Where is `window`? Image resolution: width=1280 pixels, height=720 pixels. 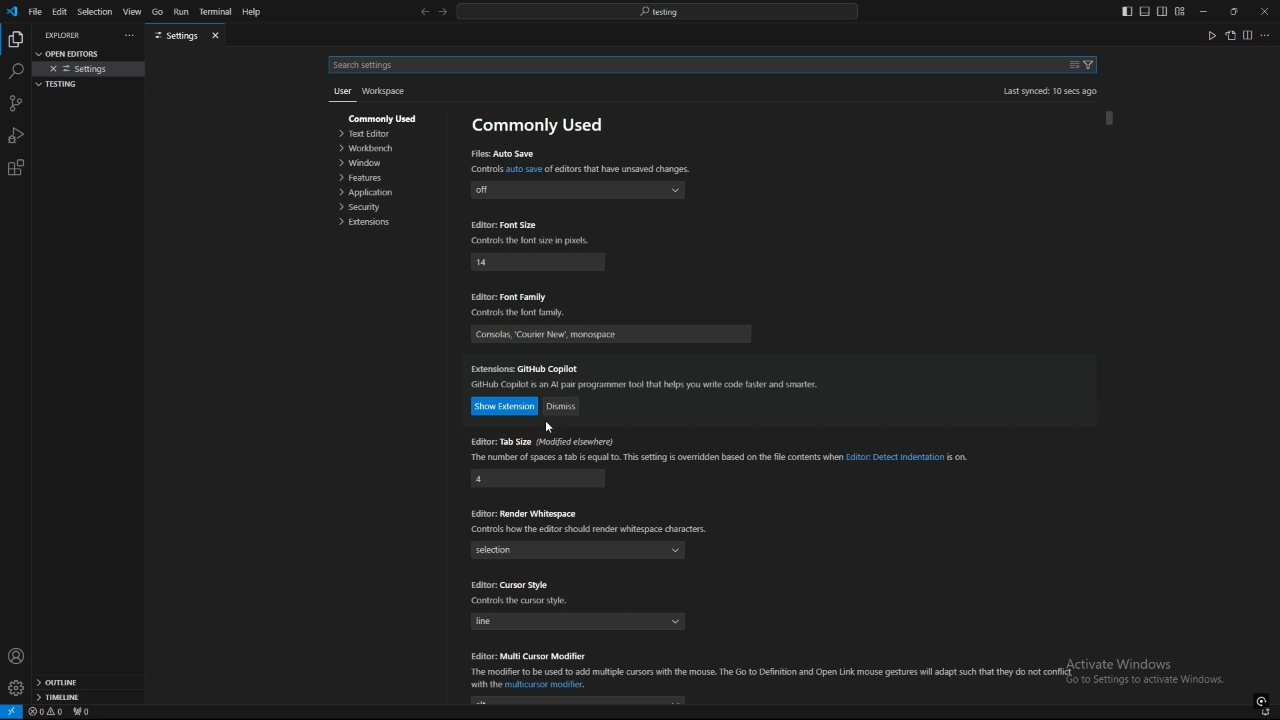
window is located at coordinates (378, 163).